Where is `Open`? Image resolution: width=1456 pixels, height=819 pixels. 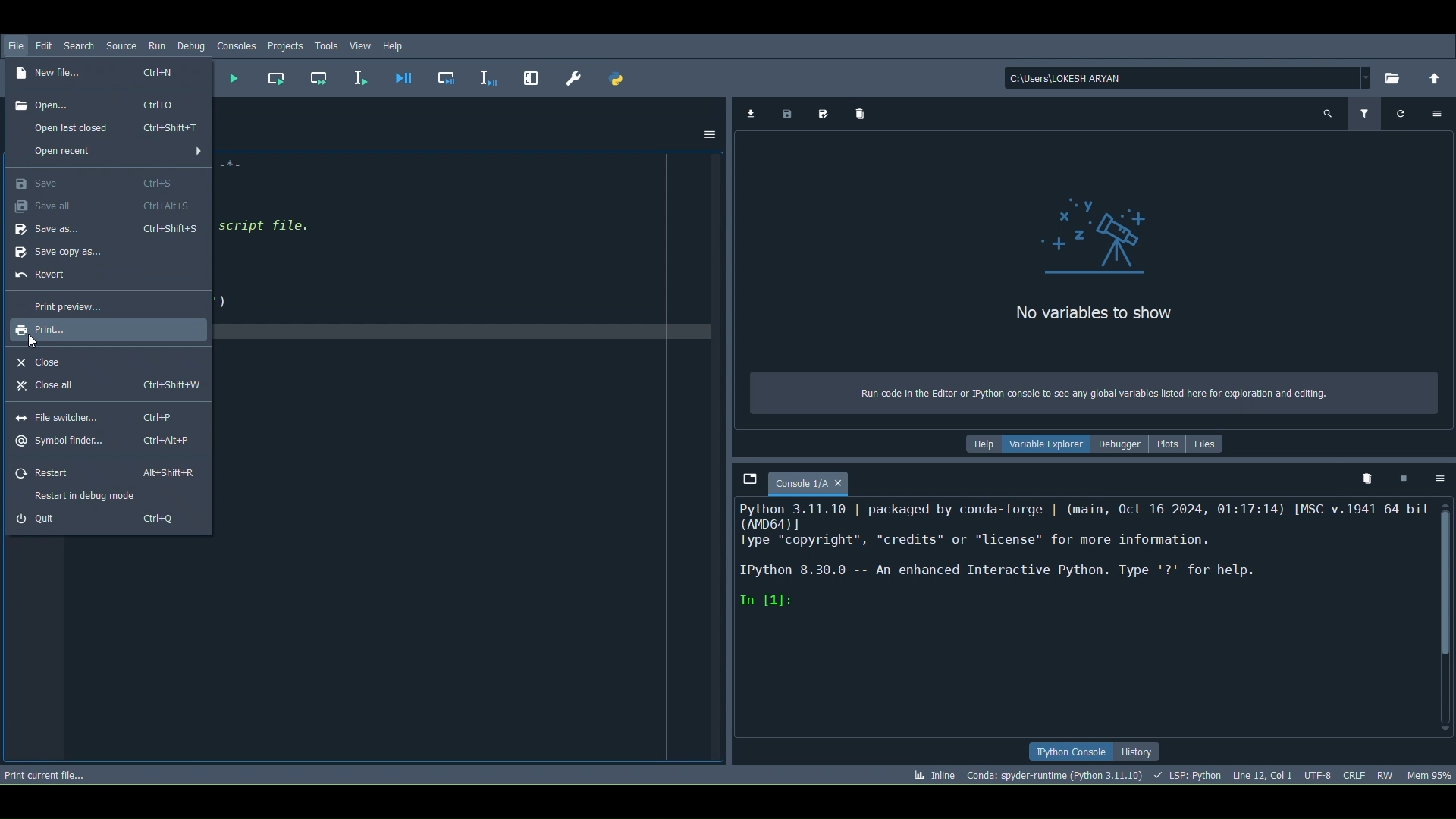
Open is located at coordinates (105, 102).